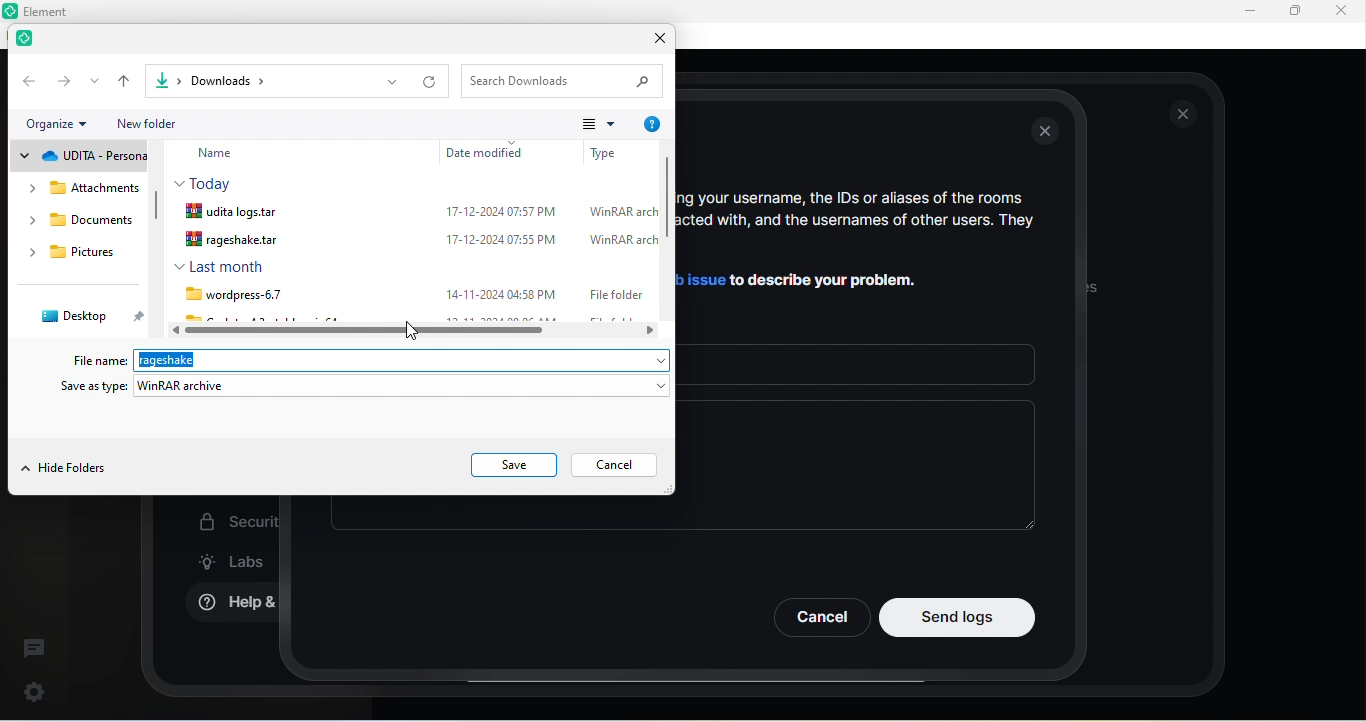  Describe the element at coordinates (391, 82) in the screenshot. I see `drop down` at that location.